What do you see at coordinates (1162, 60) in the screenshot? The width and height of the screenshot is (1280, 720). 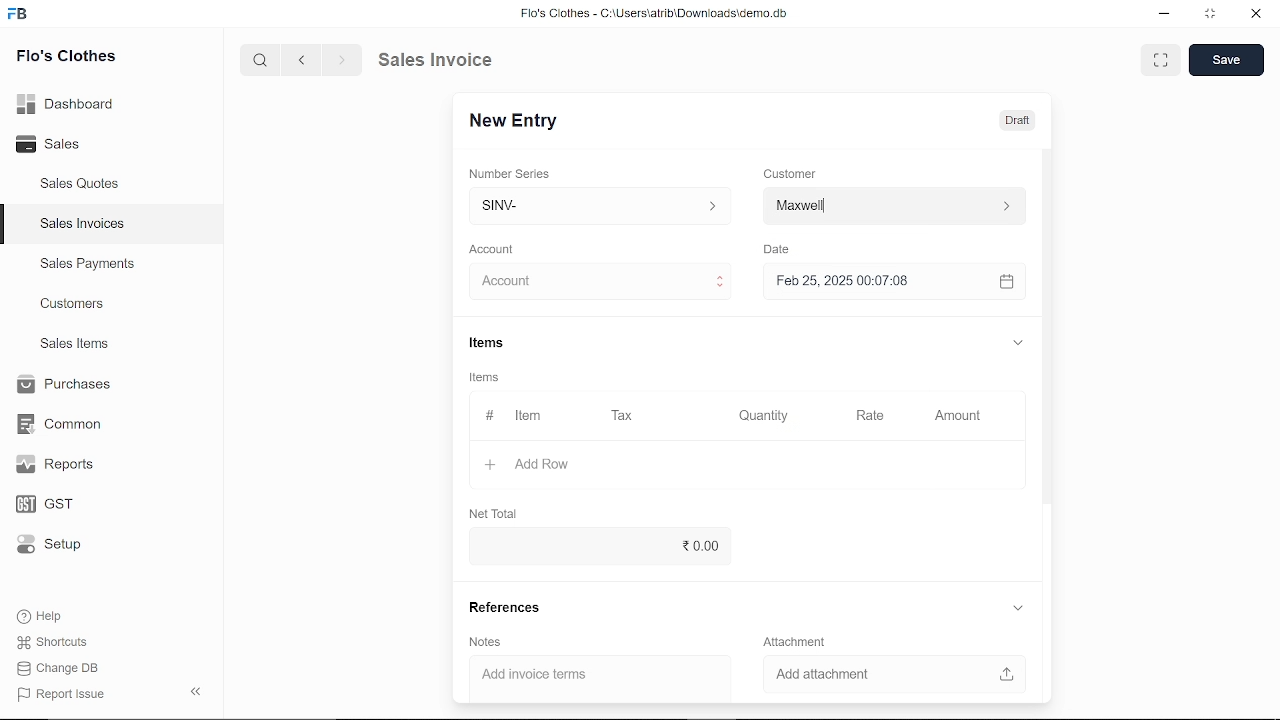 I see `expand` at bounding box center [1162, 60].